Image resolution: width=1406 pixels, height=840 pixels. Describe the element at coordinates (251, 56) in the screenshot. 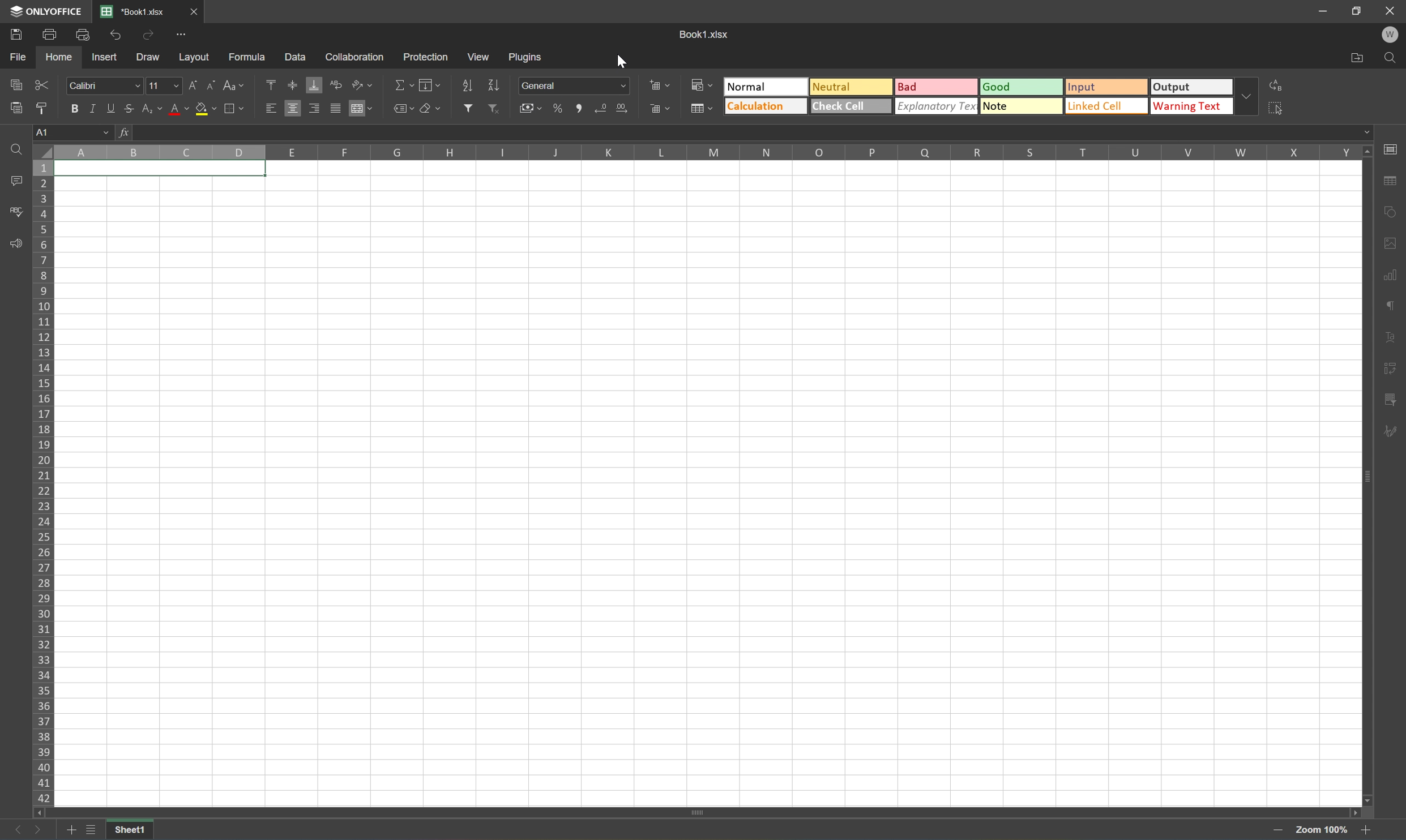

I see `Formula` at that location.